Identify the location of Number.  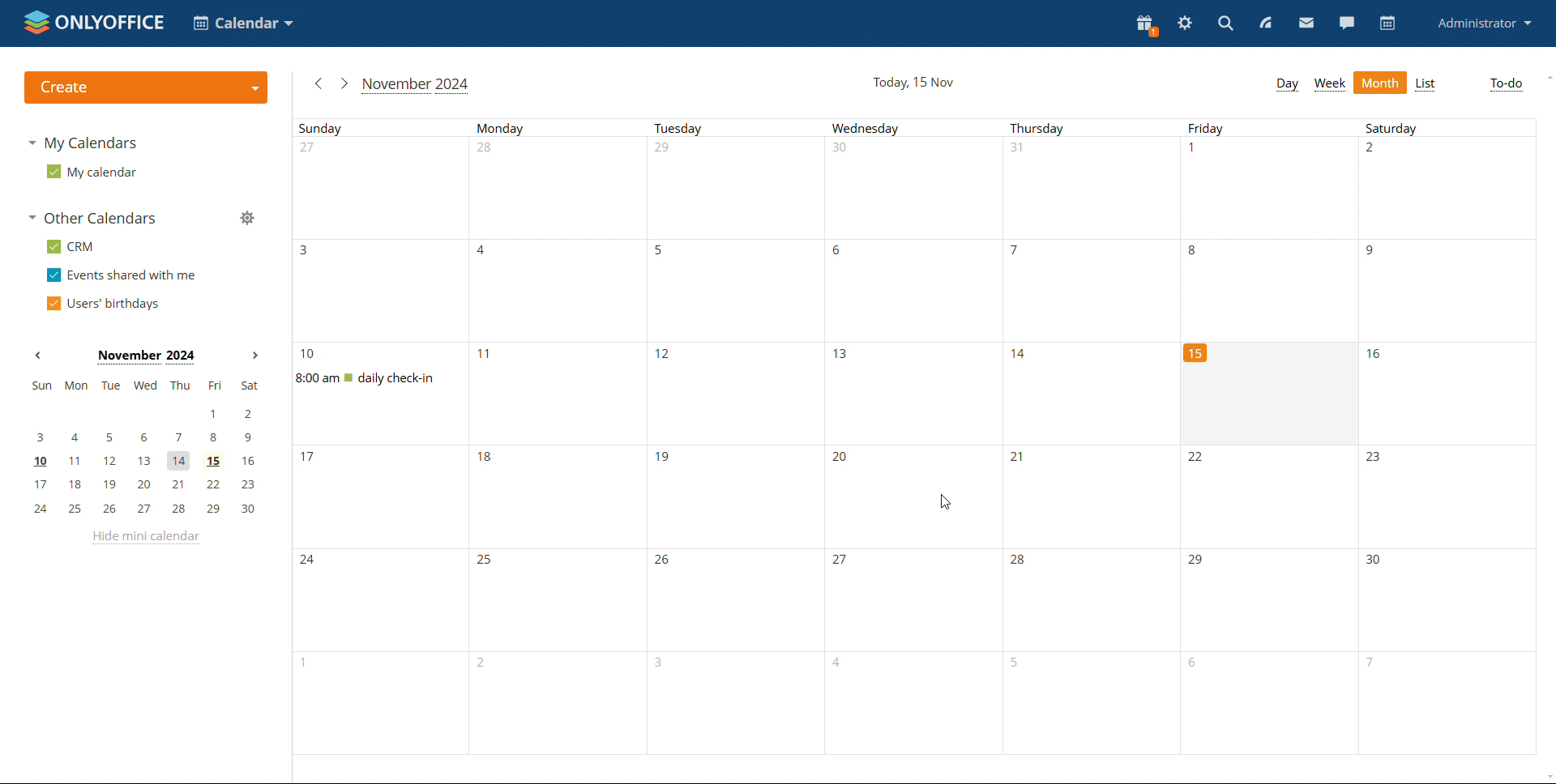
(488, 151).